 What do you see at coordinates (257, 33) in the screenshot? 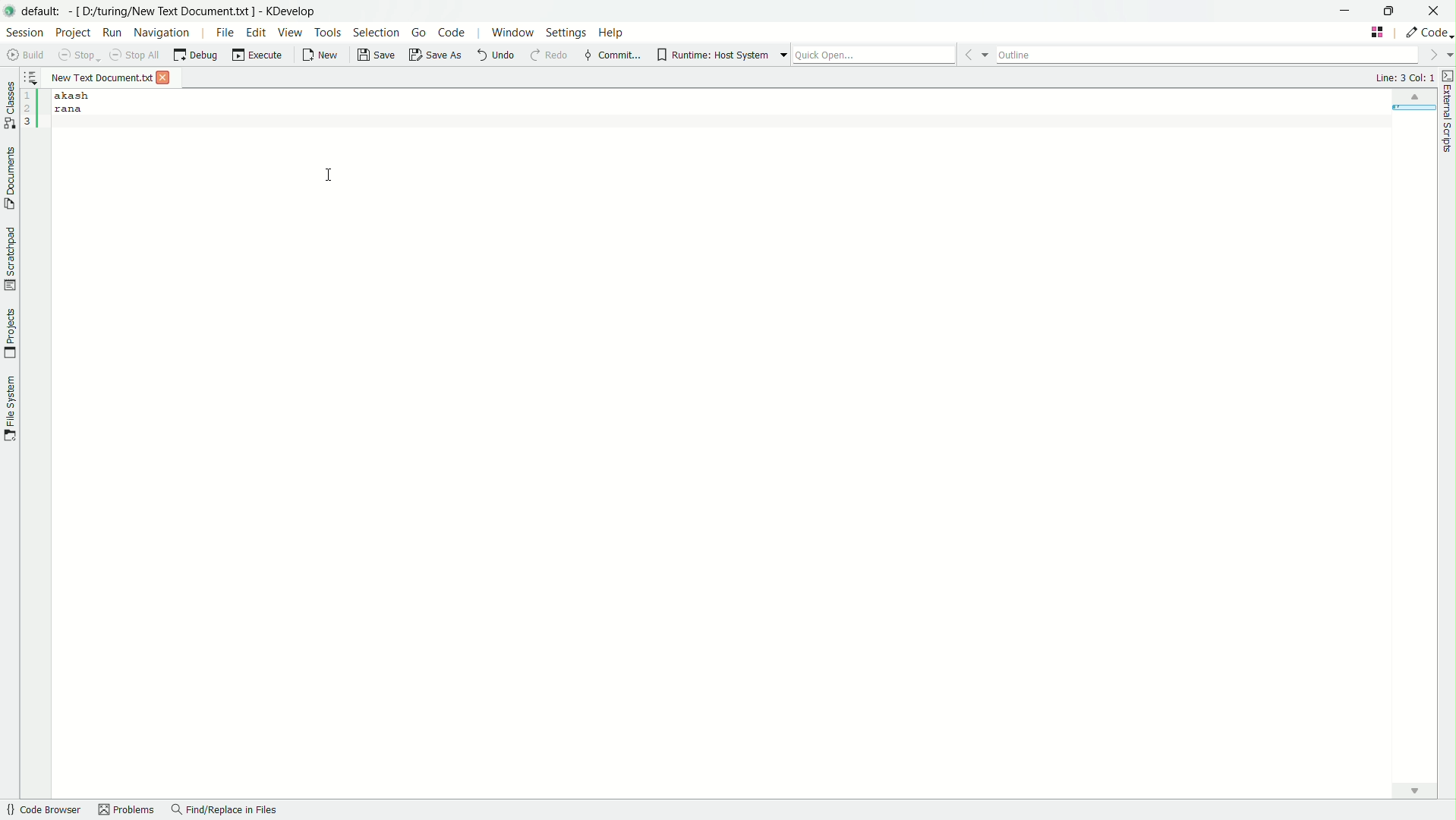
I see `edit menu` at bounding box center [257, 33].